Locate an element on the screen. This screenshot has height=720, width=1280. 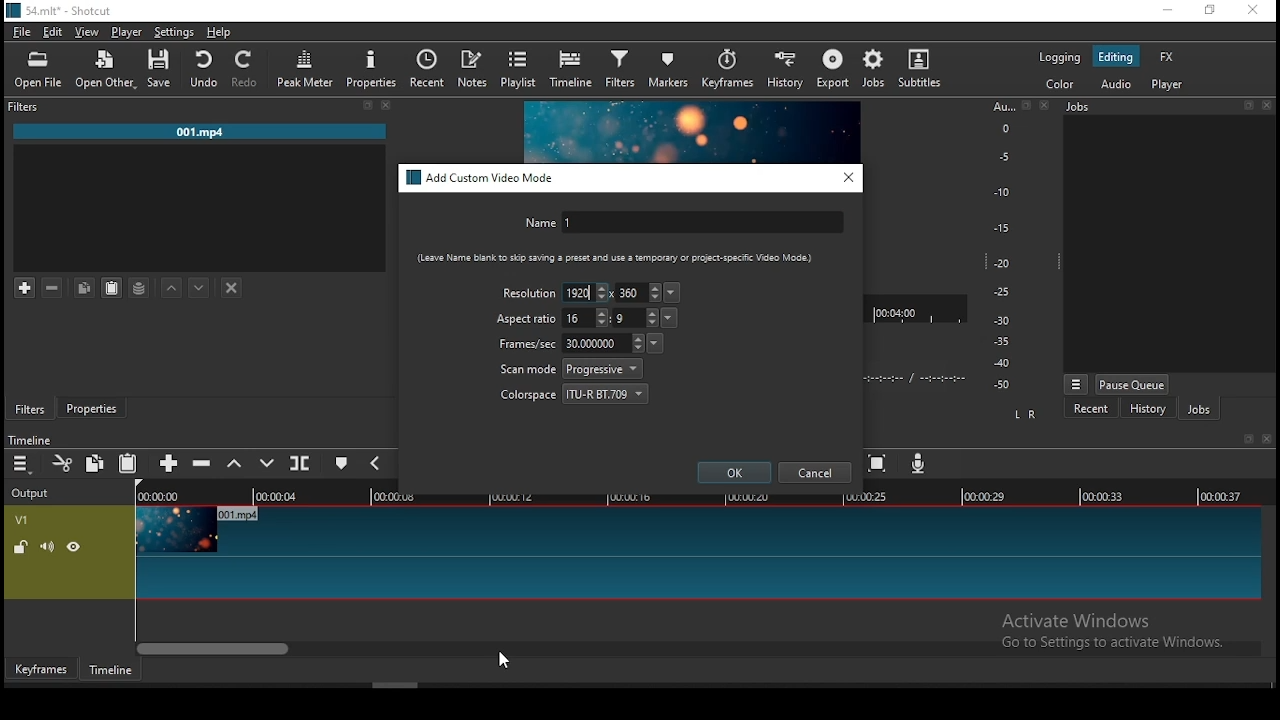
settings is located at coordinates (171, 32).